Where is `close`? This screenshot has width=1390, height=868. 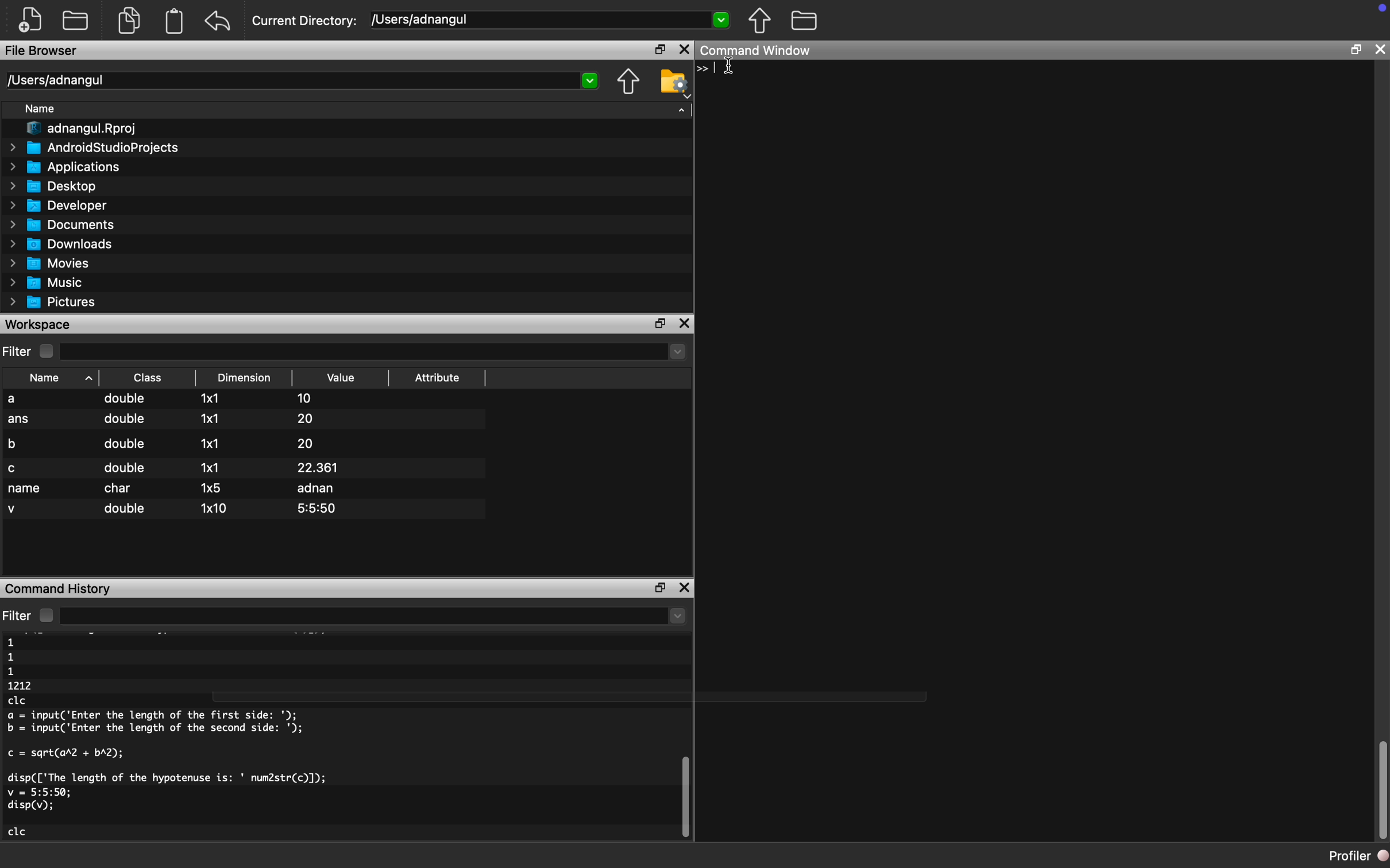
close is located at coordinates (686, 588).